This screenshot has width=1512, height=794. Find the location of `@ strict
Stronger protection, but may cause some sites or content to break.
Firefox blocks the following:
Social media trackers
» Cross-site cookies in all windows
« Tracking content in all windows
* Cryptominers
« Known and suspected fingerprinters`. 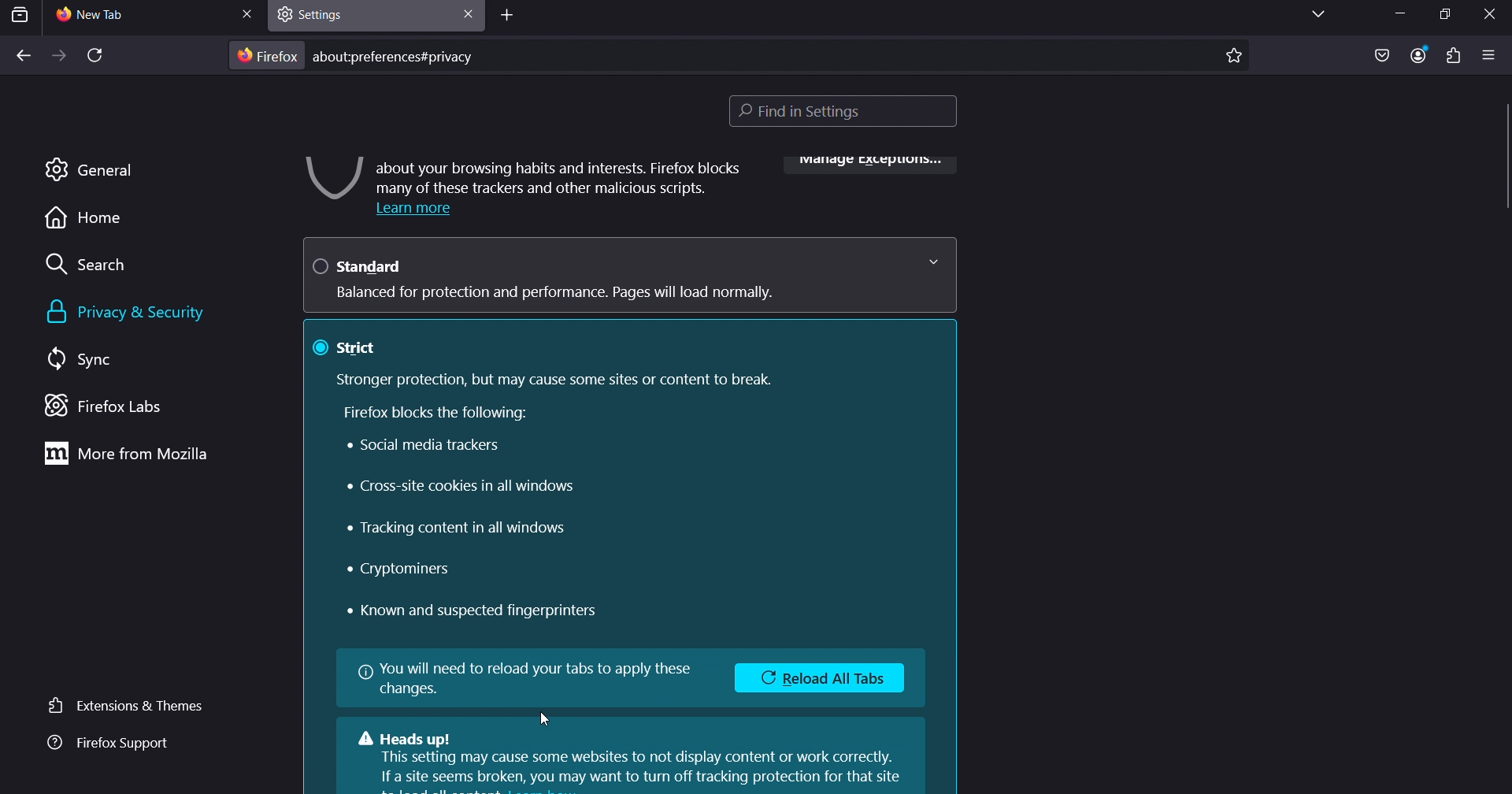

@ strict
Stronger protection, but may cause some sites or content to break.
Firefox blocks the following:
Social media trackers
» Cross-site cookies in all windows
« Tracking content in all windows
* Cryptominers
« Known and suspected fingerprinters is located at coordinates (609, 477).